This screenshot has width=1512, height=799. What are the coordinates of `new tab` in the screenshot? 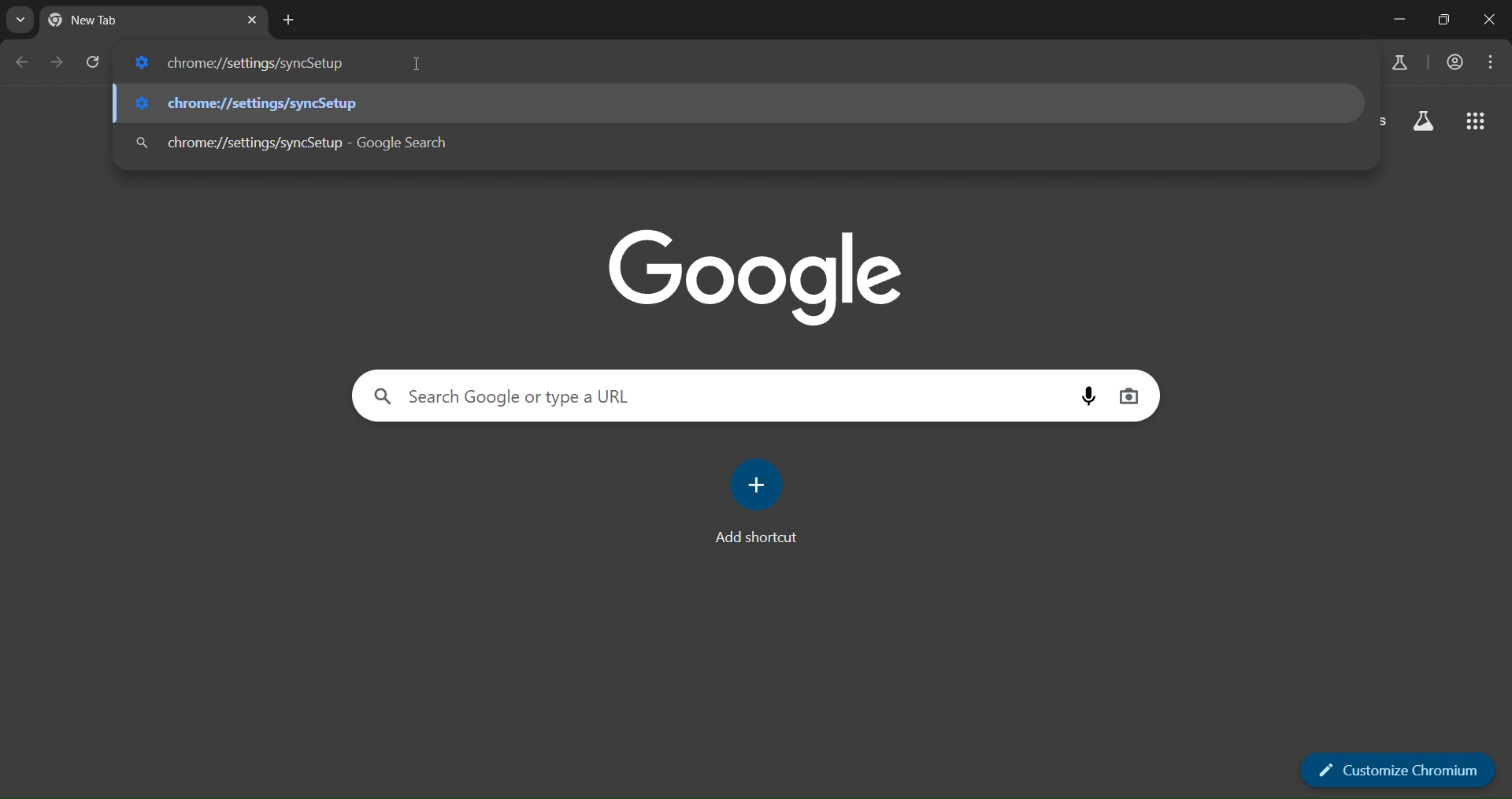 It's located at (291, 21).